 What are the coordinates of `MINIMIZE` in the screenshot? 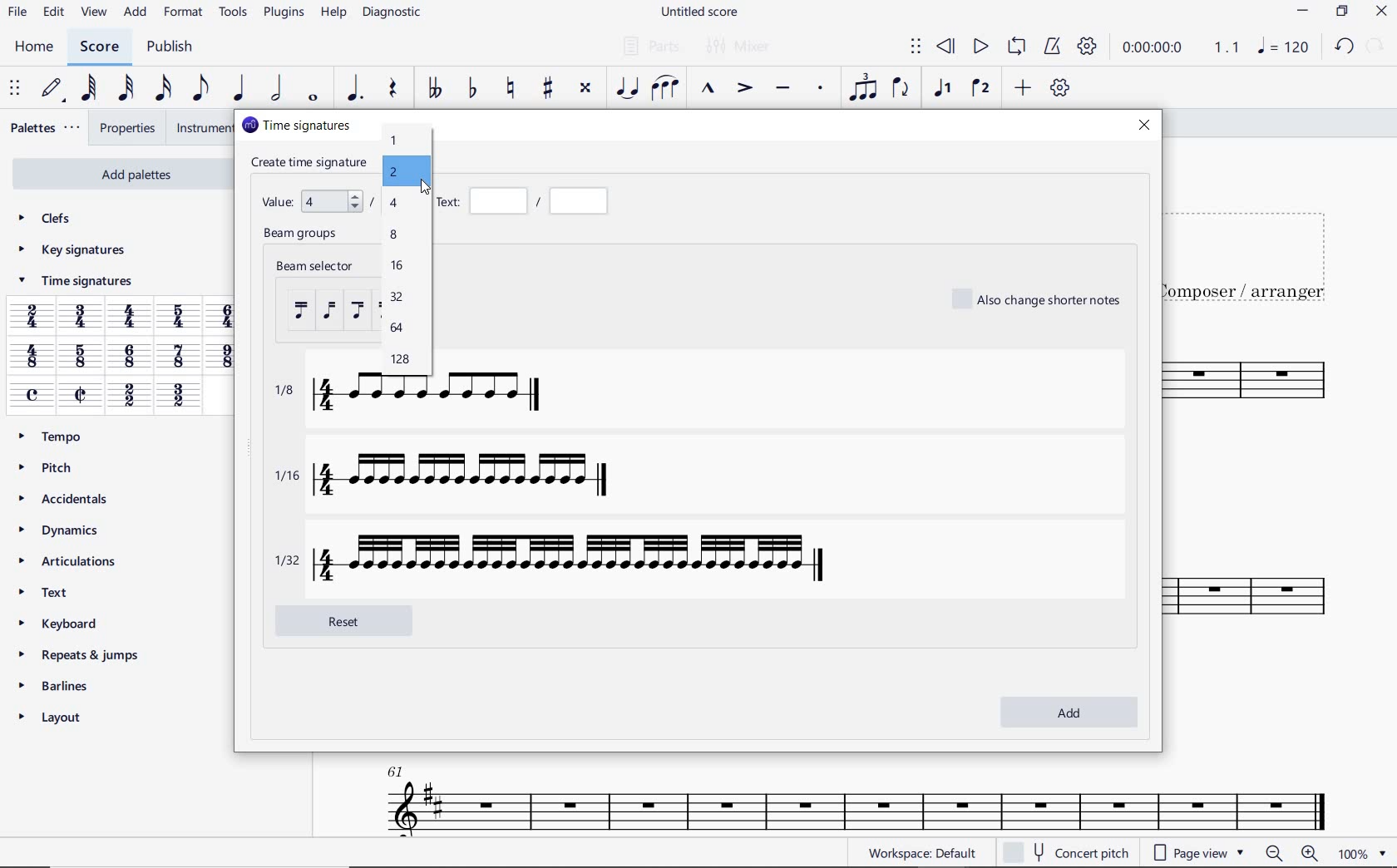 It's located at (1303, 11).